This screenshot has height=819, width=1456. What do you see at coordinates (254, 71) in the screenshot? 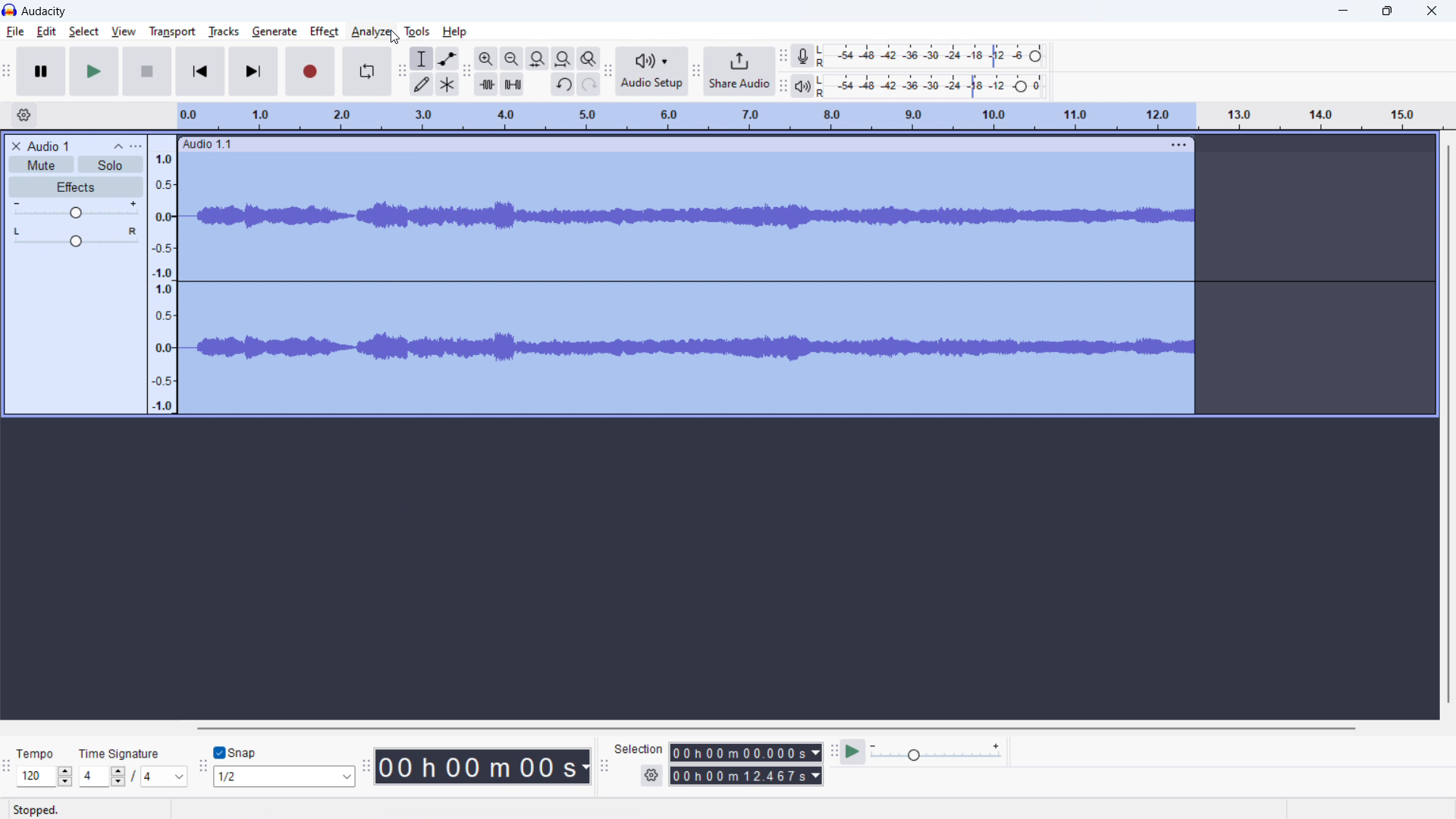
I see `skip to end` at bounding box center [254, 71].